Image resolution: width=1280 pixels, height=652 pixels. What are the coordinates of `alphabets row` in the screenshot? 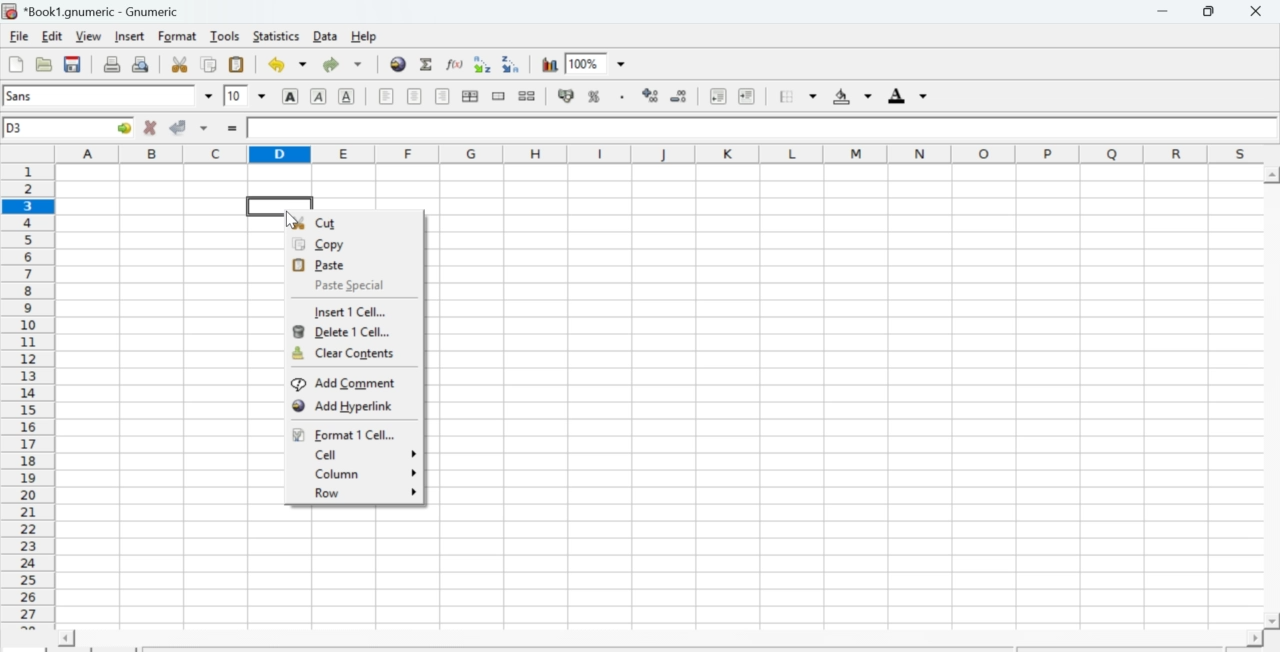 It's located at (659, 152).